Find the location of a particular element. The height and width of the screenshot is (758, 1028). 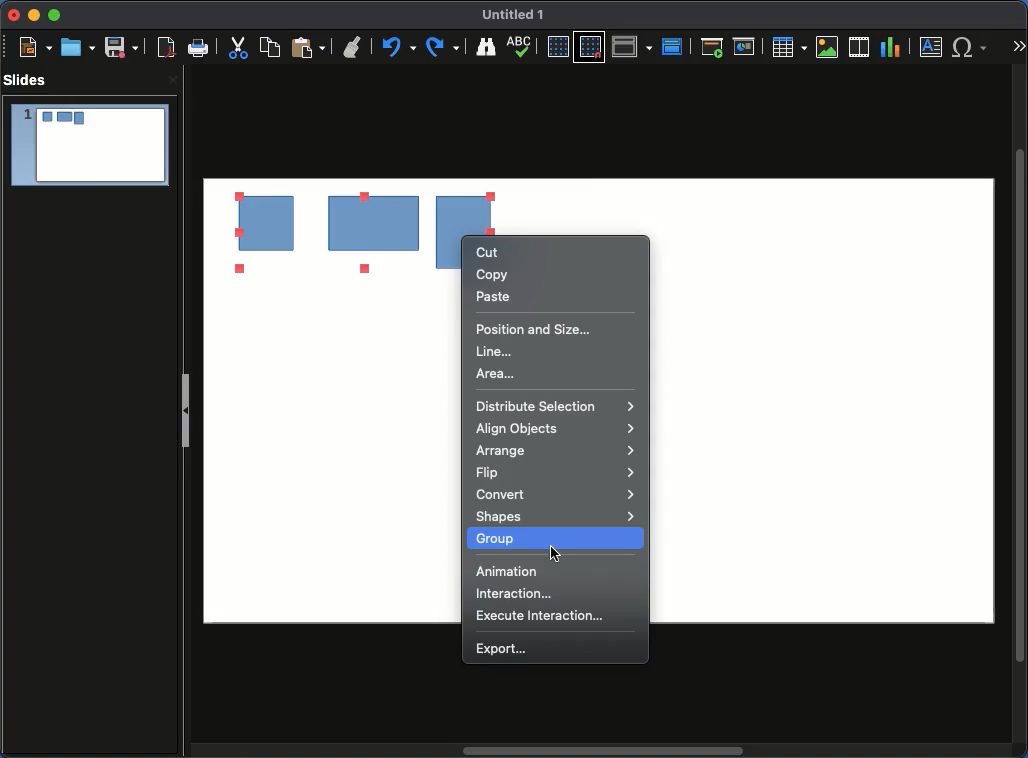

Name is located at coordinates (518, 16).